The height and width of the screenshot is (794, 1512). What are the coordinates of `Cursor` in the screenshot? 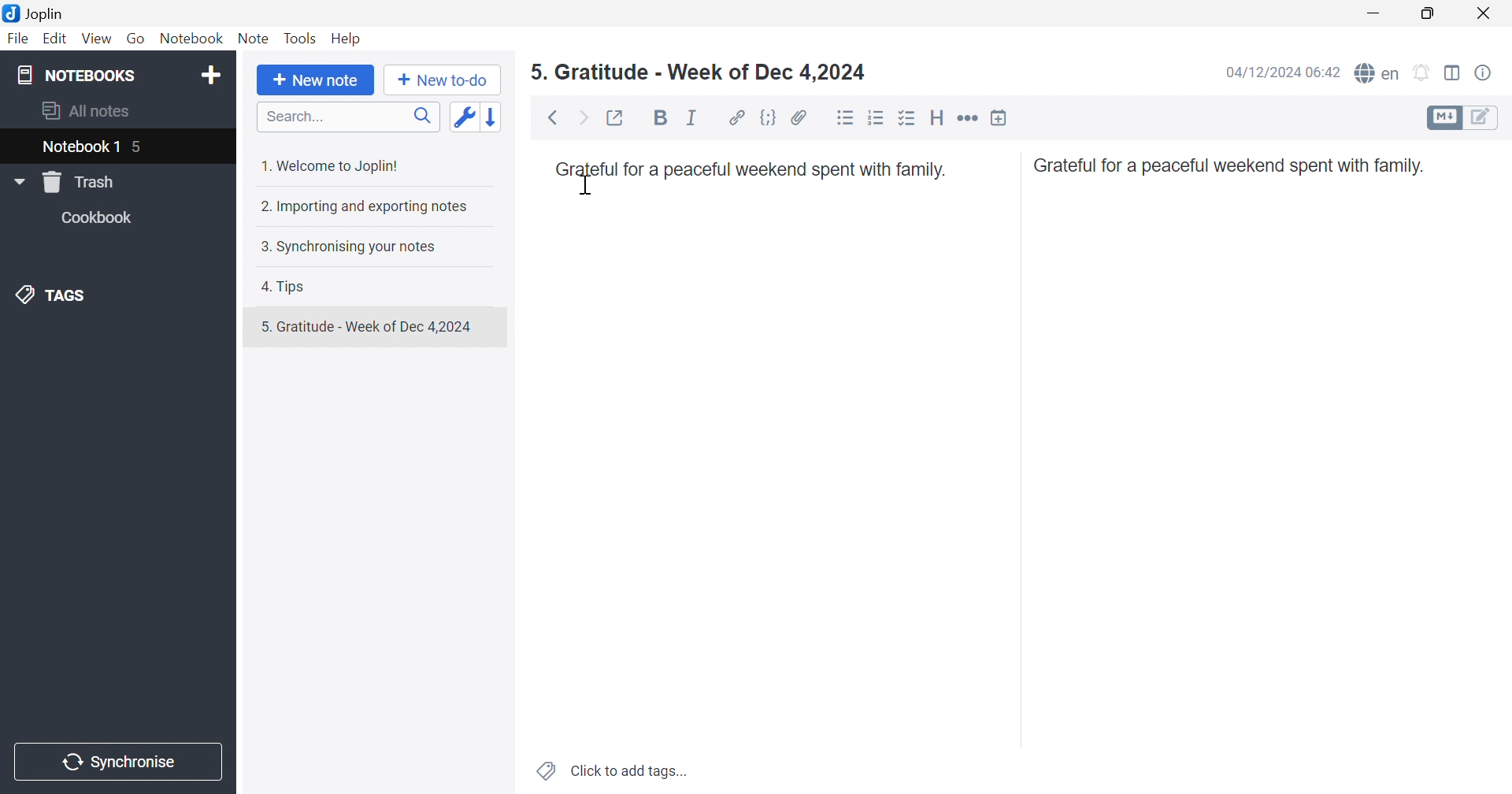 It's located at (587, 185).